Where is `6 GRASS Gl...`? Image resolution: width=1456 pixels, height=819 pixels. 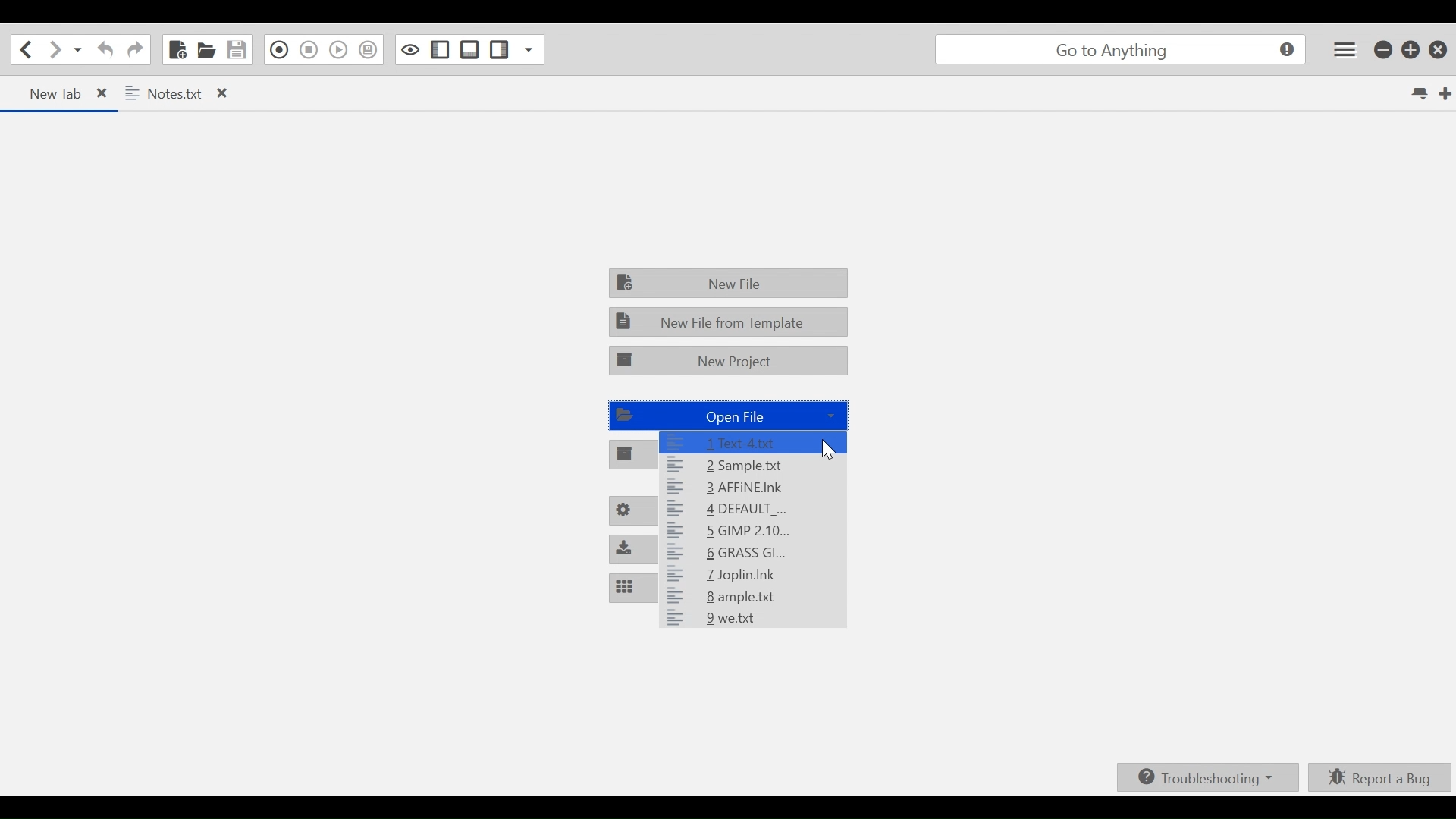
6 GRASS Gl... is located at coordinates (754, 554).